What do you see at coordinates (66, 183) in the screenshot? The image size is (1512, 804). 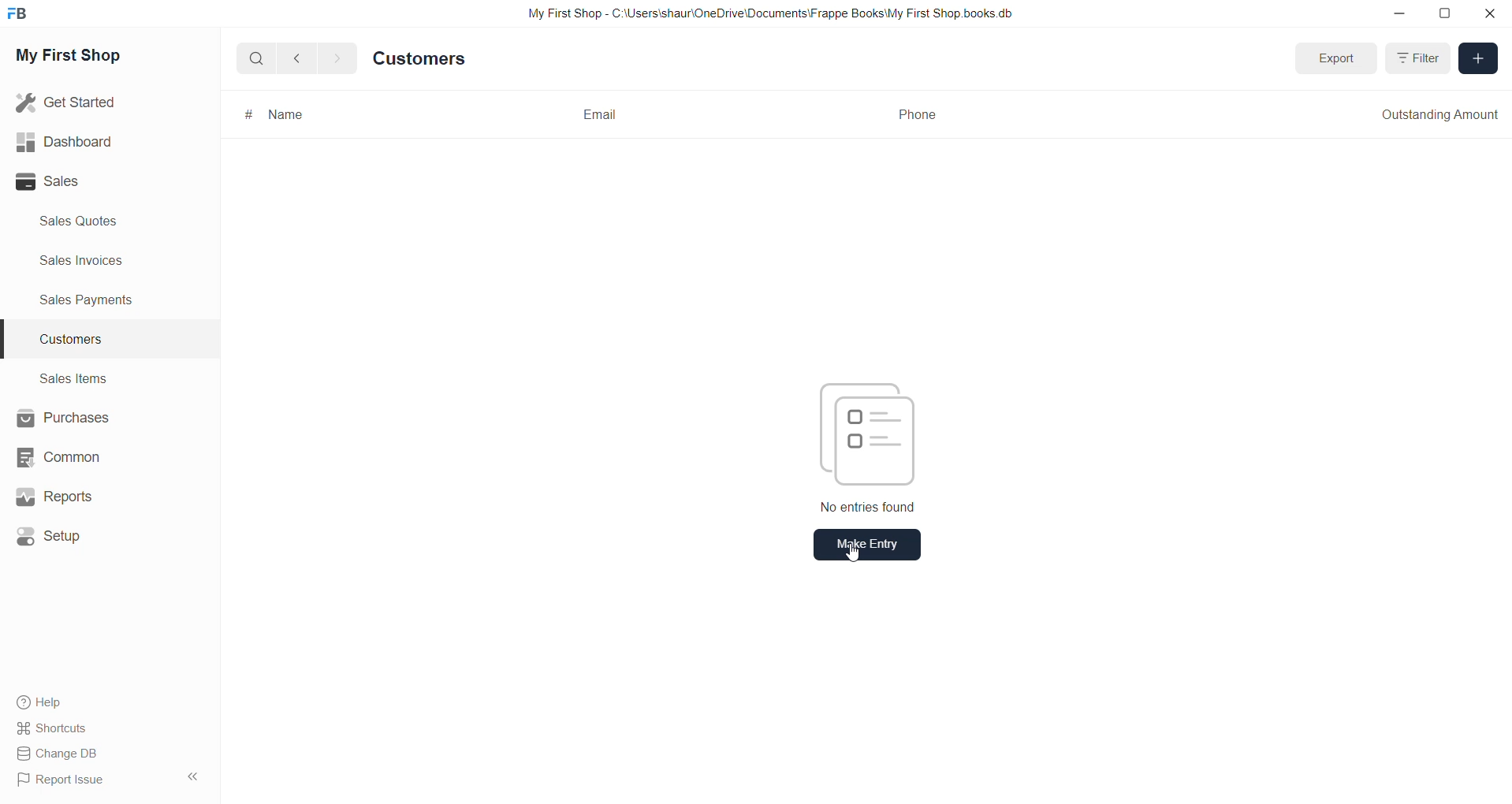 I see `Sales` at bounding box center [66, 183].